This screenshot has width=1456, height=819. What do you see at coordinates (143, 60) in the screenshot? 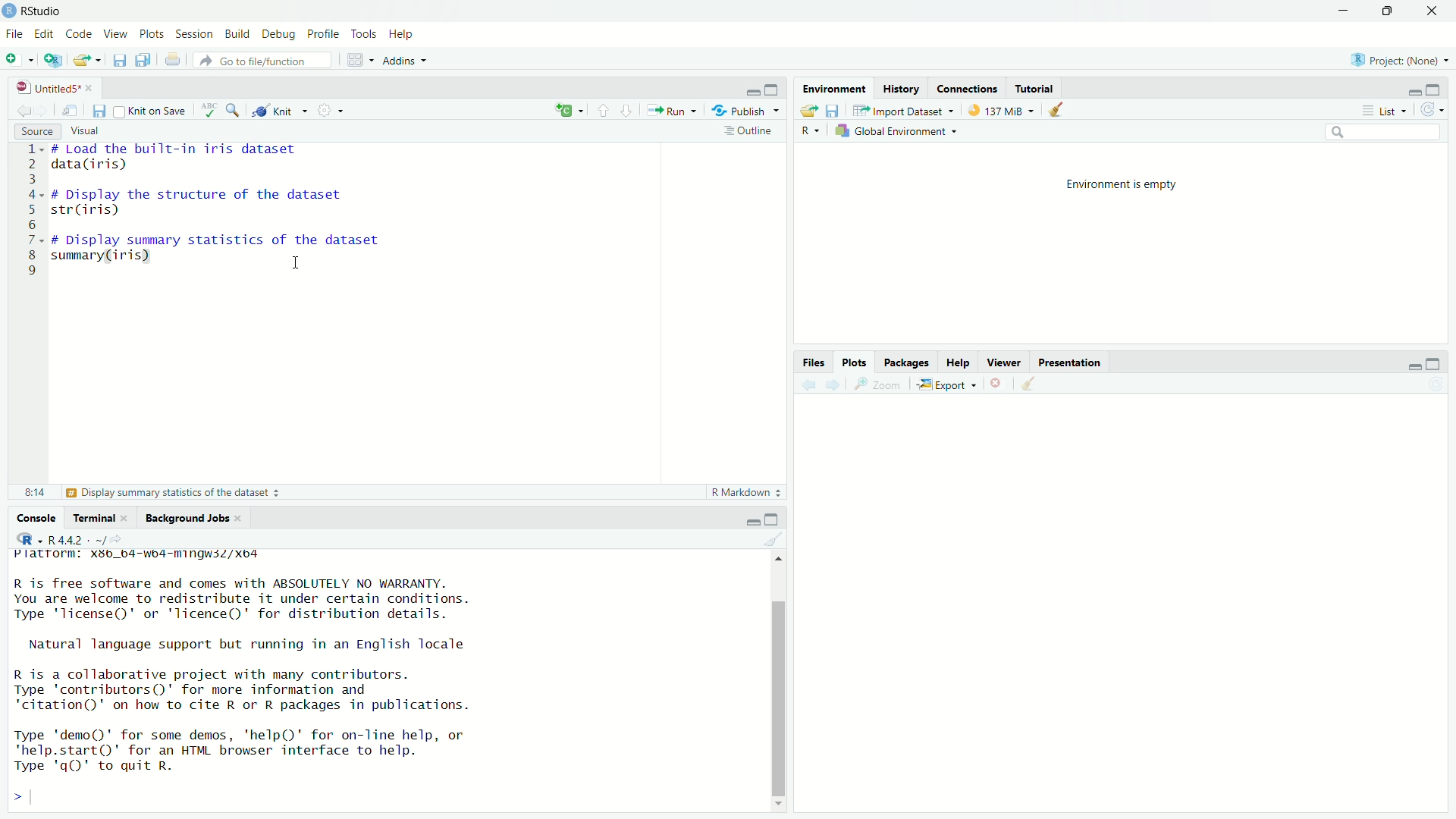
I see `Save all open files` at bounding box center [143, 60].